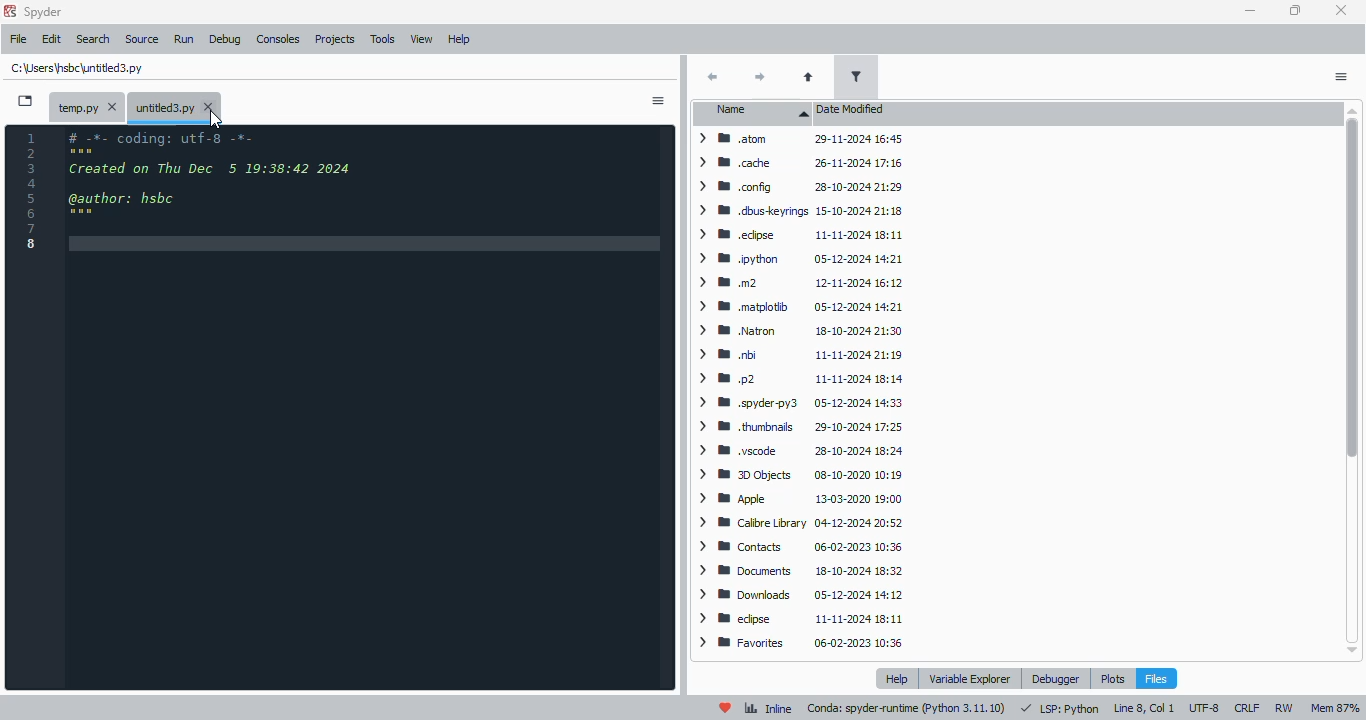 This screenshot has width=1366, height=720. What do you see at coordinates (726, 708) in the screenshot?
I see `help spyder!` at bounding box center [726, 708].